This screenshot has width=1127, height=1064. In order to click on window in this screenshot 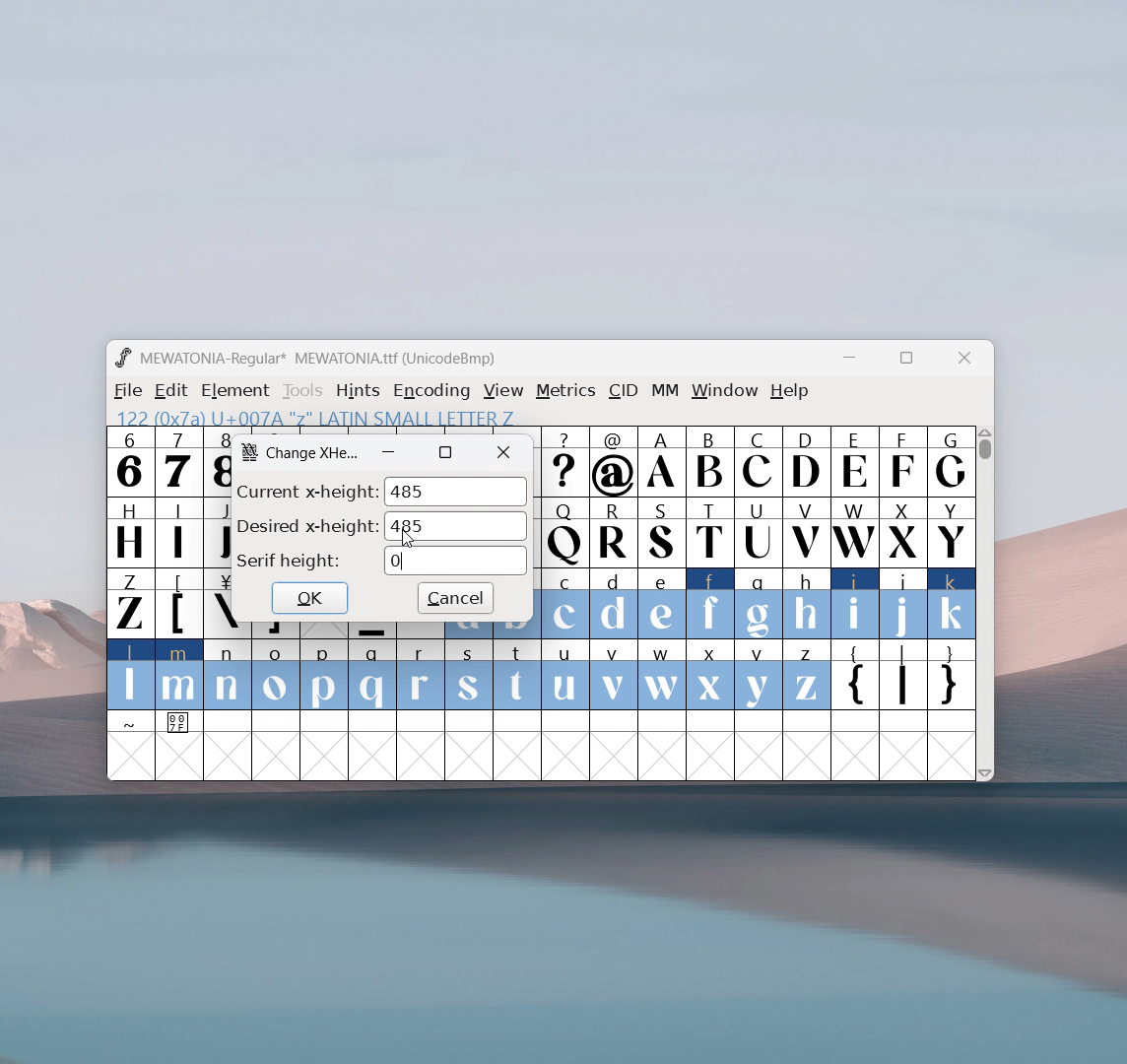, I will do `click(725, 391)`.